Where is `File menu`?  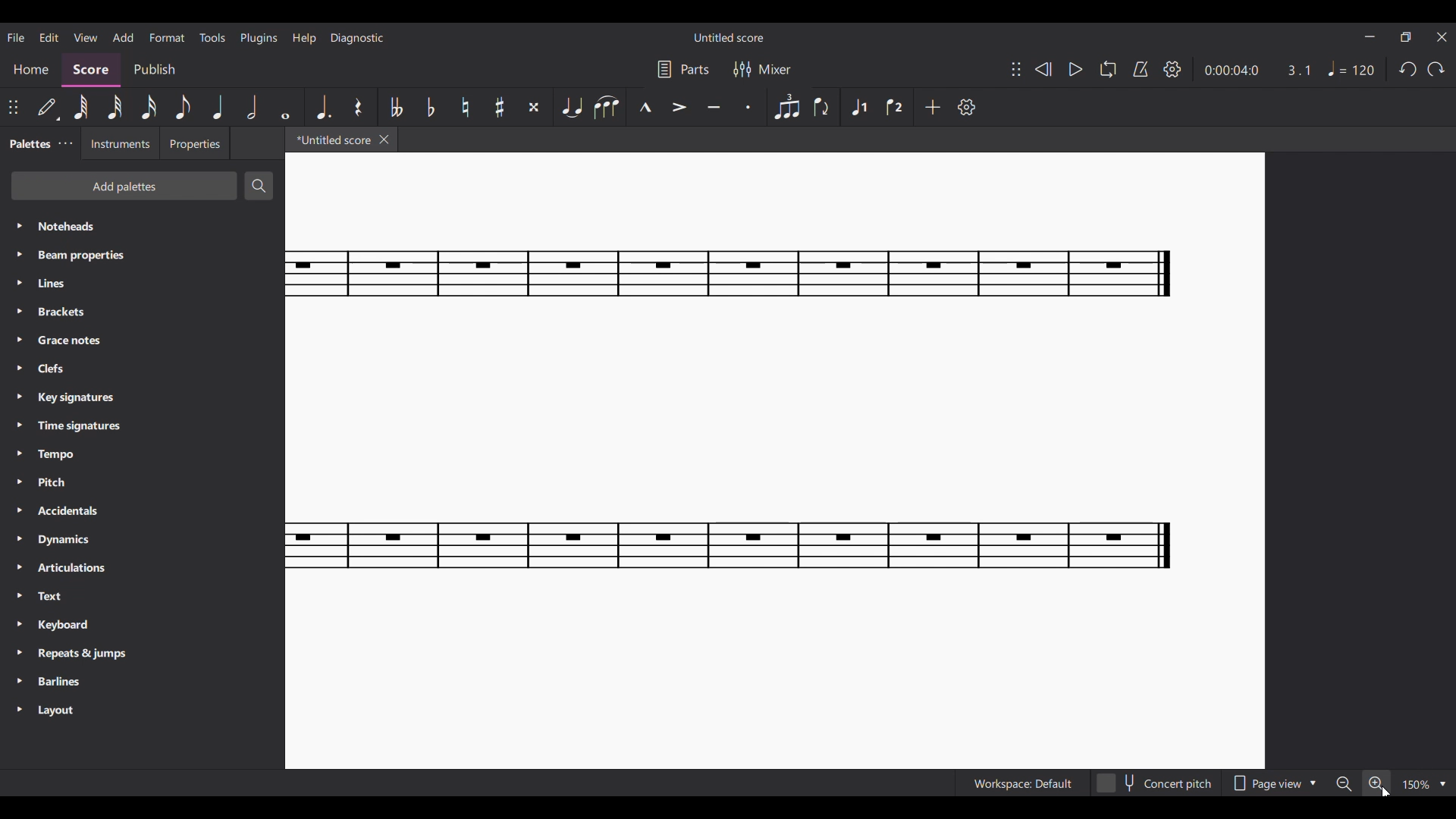 File menu is located at coordinates (16, 38).